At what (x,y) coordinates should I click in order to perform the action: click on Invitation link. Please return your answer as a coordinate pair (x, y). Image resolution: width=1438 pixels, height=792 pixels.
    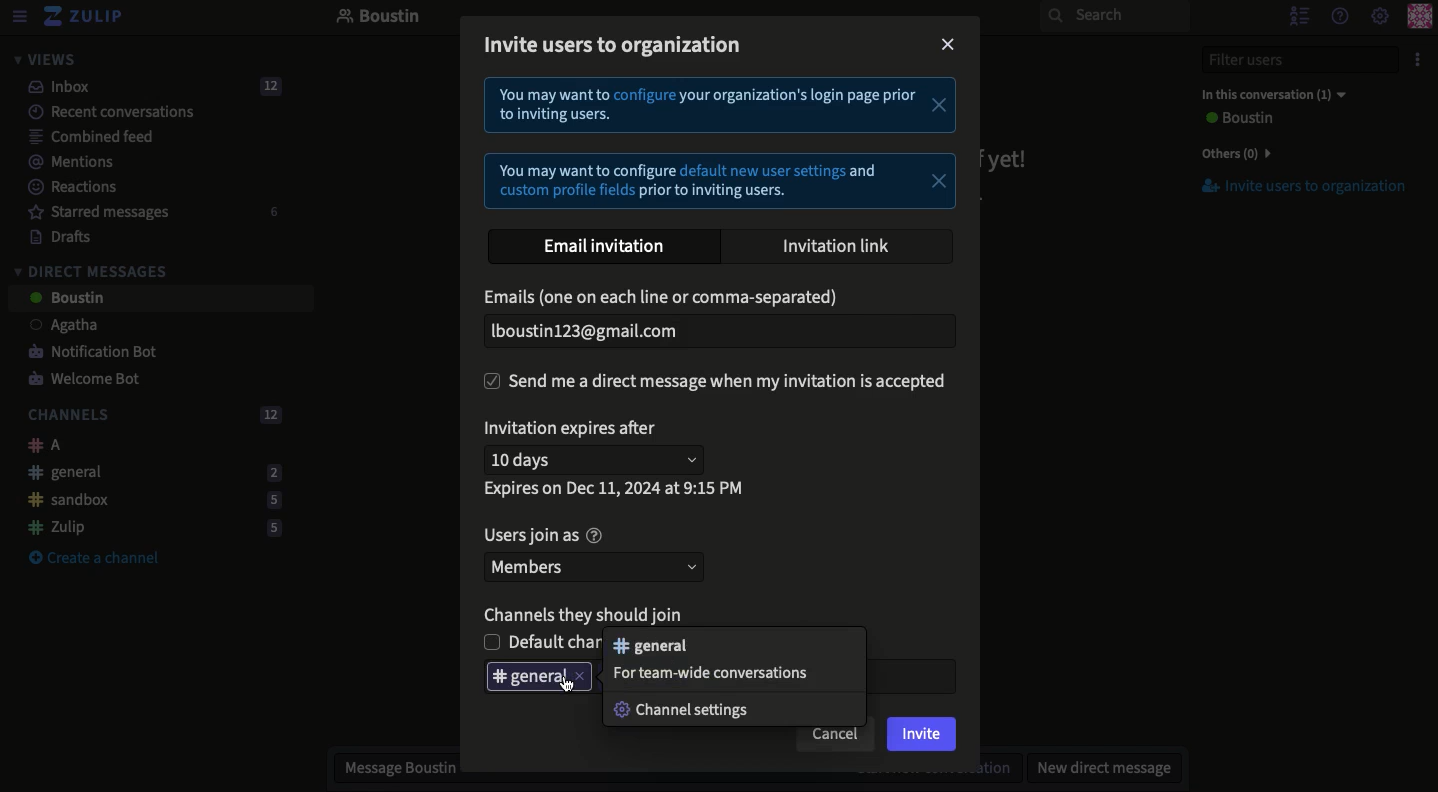
    Looking at the image, I should click on (838, 245).